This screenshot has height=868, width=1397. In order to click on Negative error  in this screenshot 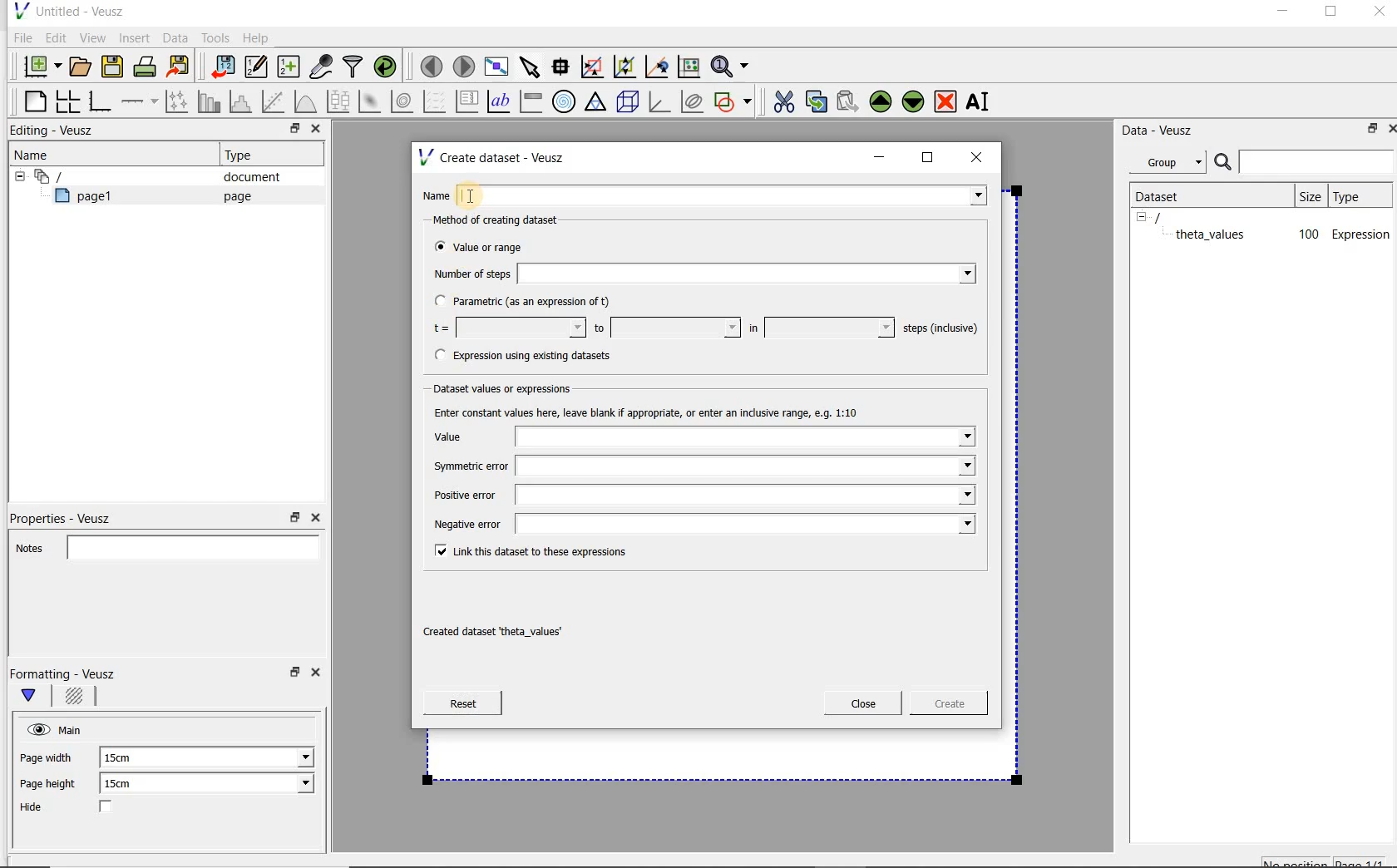, I will do `click(700, 525)`.